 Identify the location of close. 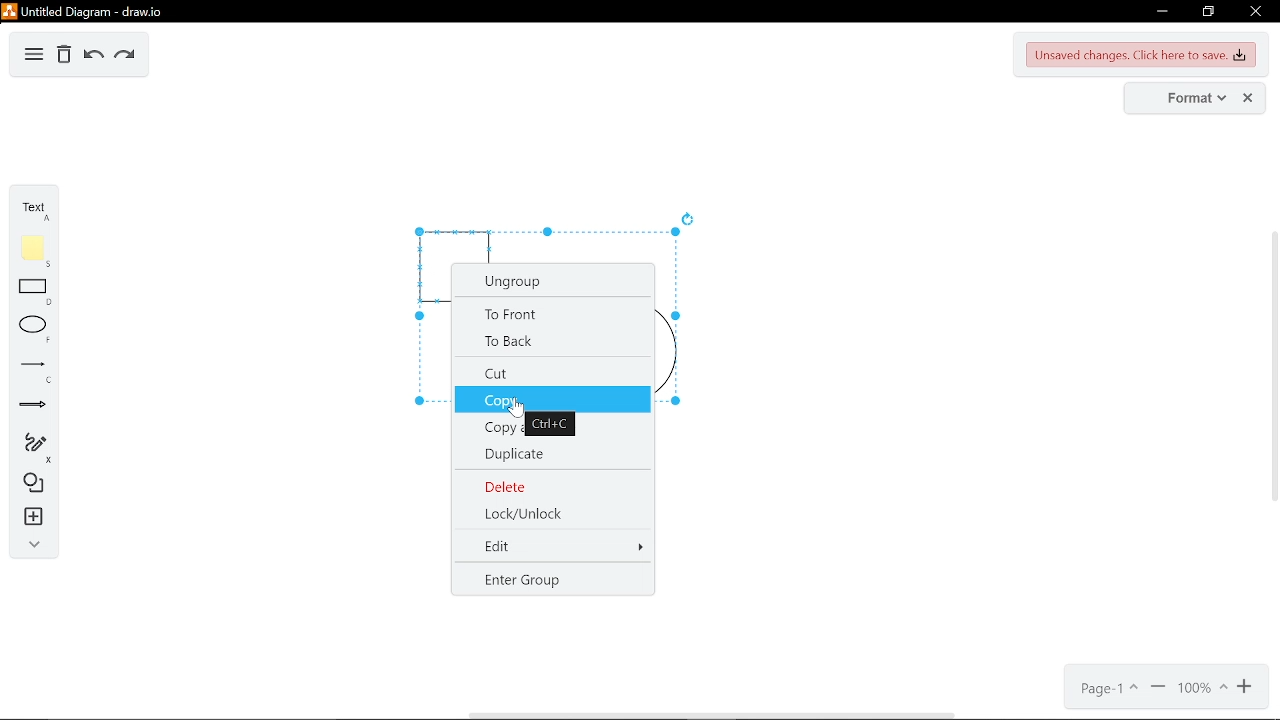
(1254, 11).